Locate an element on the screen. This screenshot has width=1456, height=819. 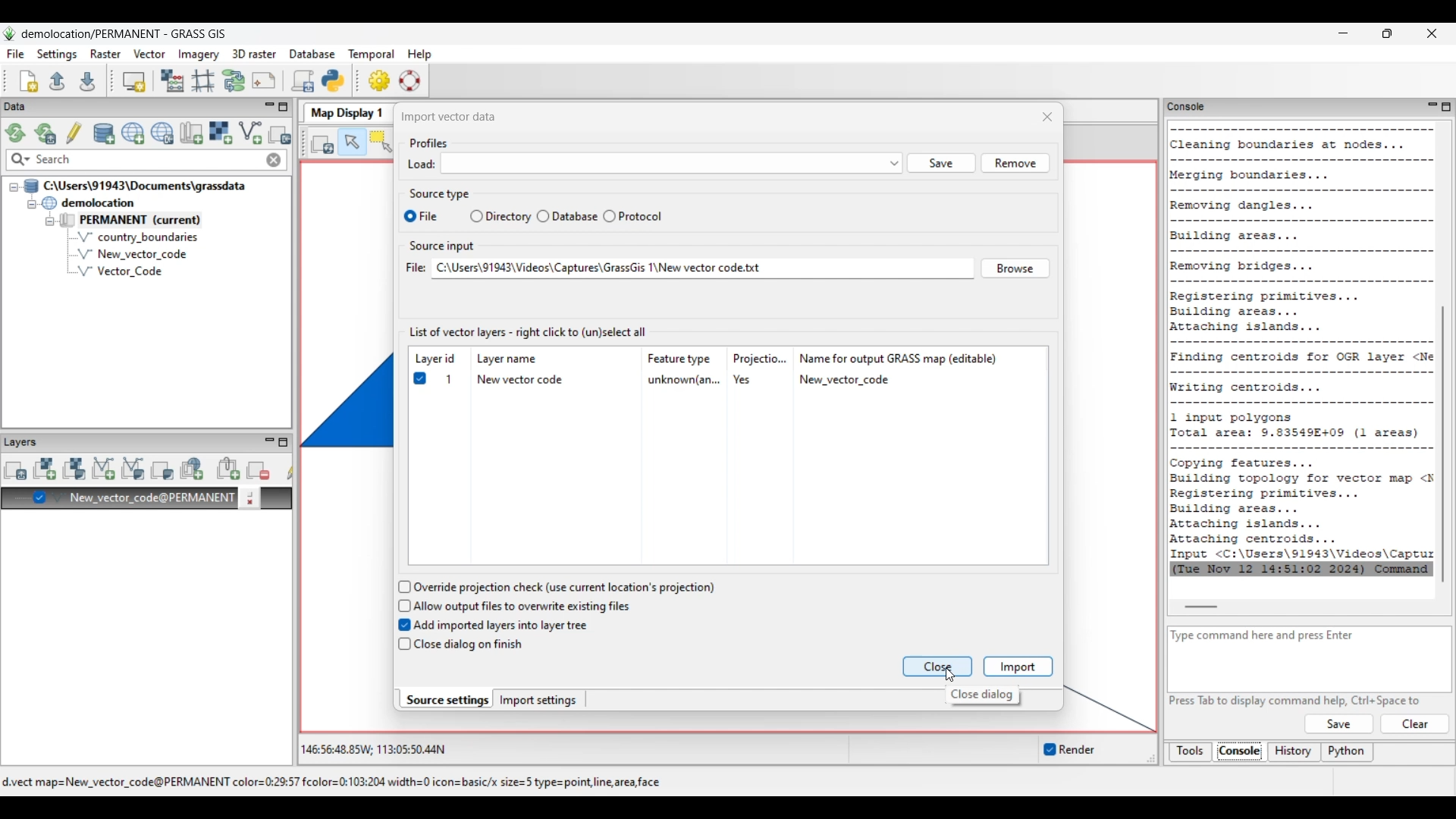
 is located at coordinates (1015, 165).